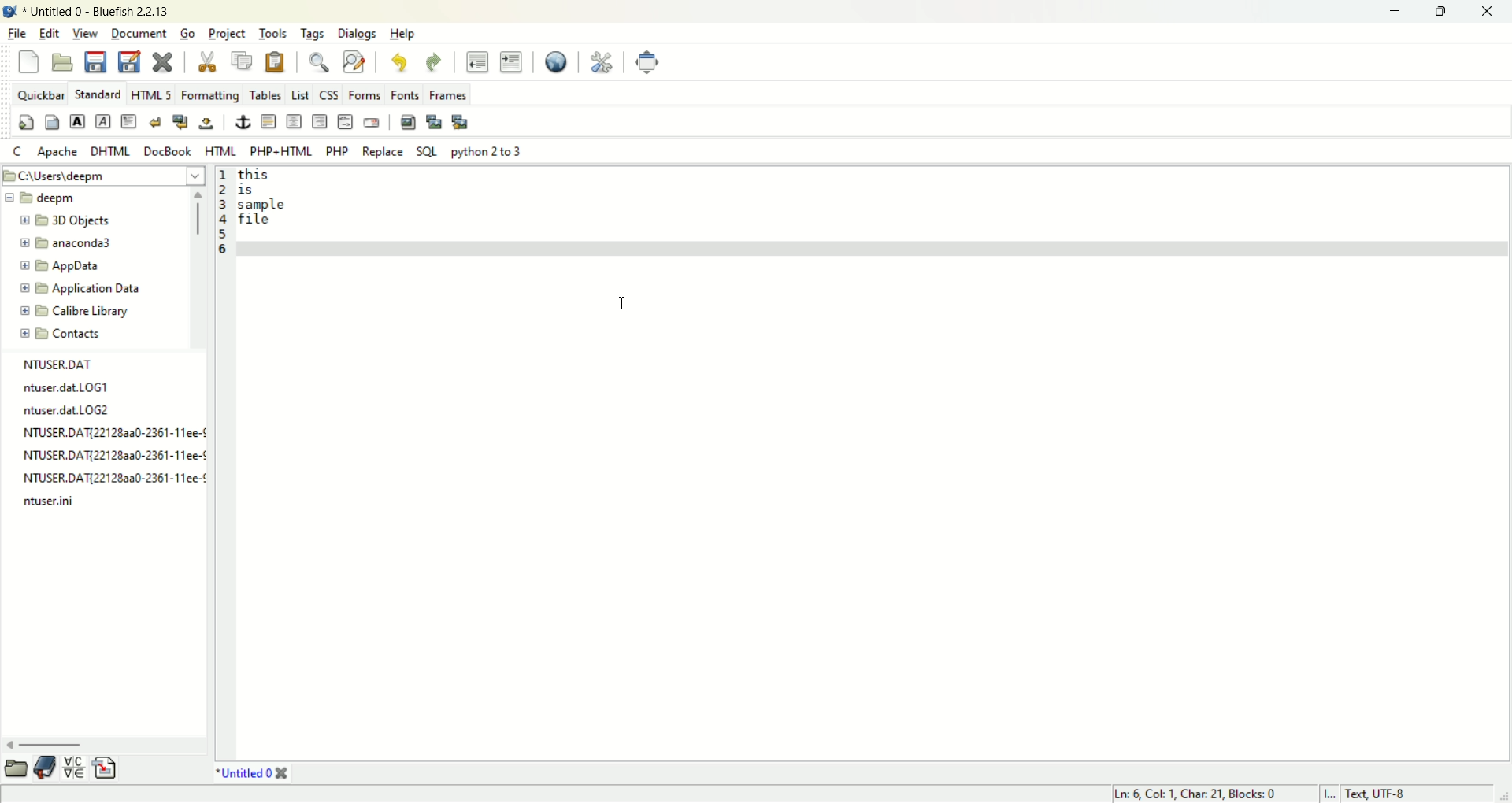  Describe the element at coordinates (103, 120) in the screenshot. I see `emphasis` at that location.